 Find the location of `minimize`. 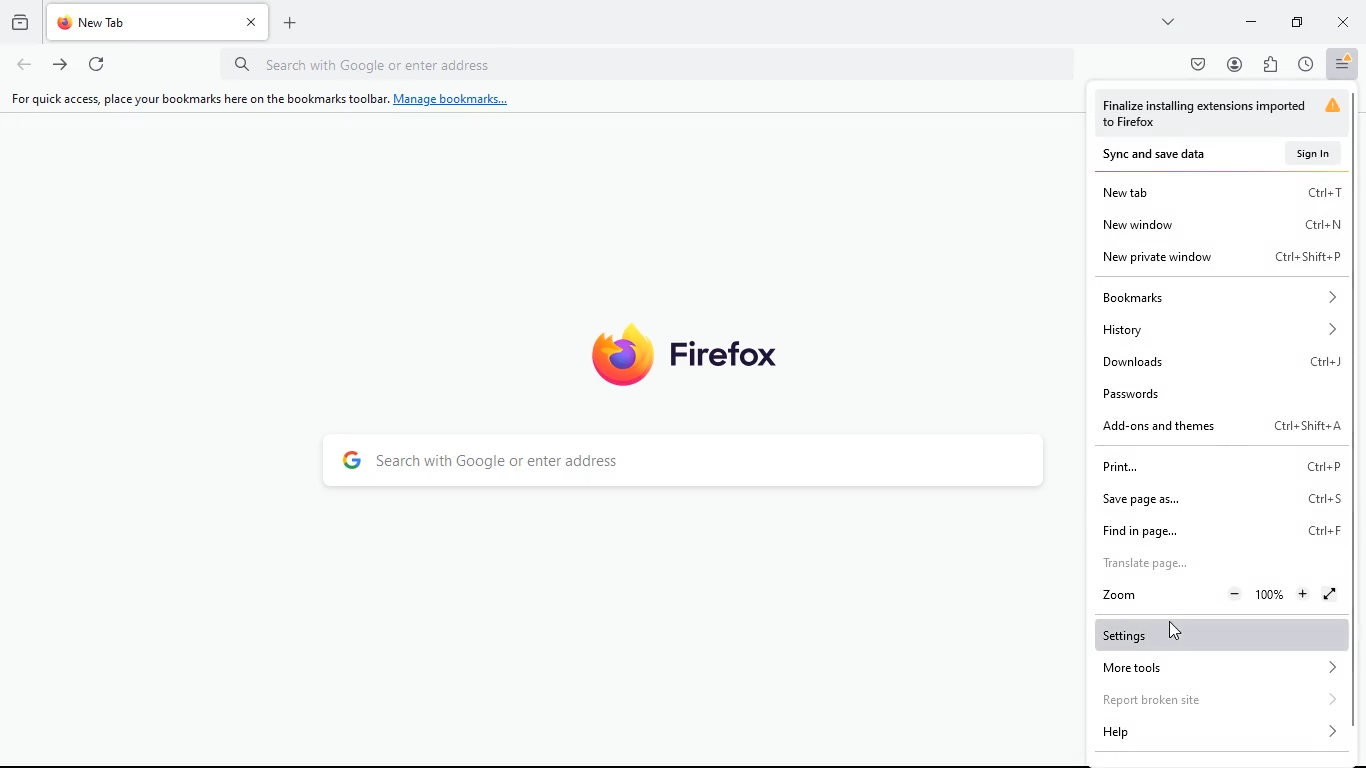

minimize is located at coordinates (1295, 21).